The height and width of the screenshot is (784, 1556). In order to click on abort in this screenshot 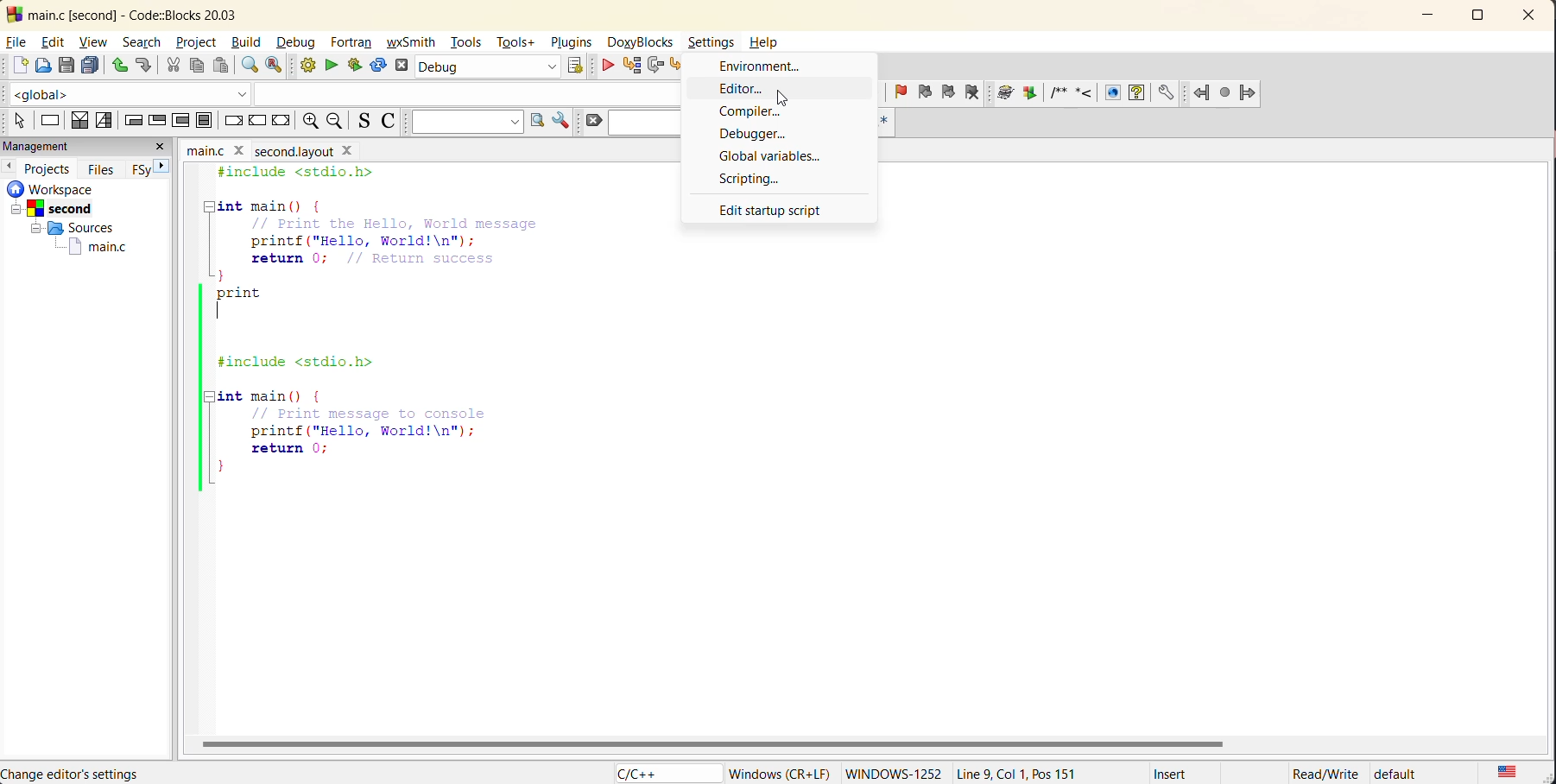, I will do `click(405, 66)`.